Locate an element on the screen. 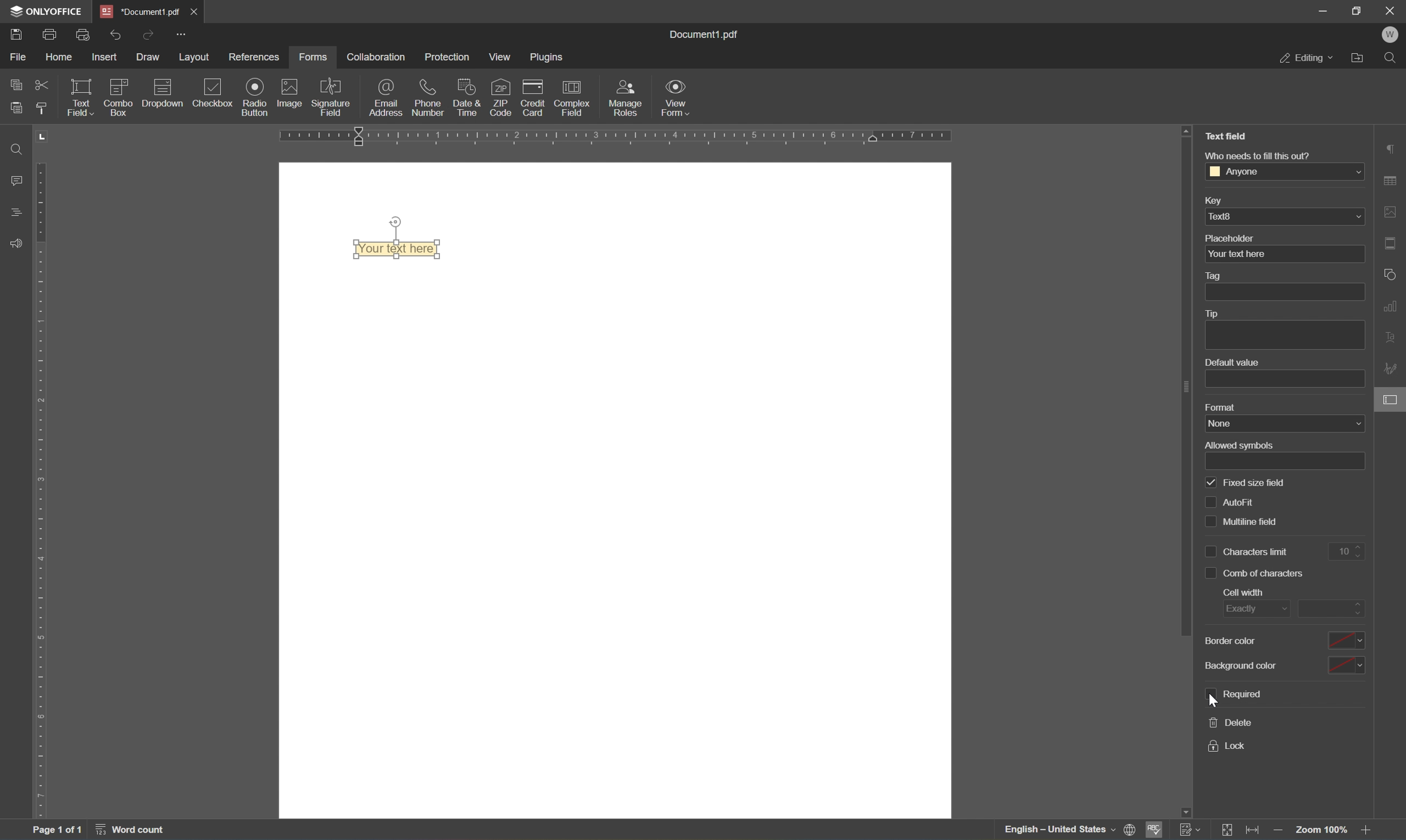 The width and height of the screenshot is (1406, 840). anyone is located at coordinates (1287, 172).